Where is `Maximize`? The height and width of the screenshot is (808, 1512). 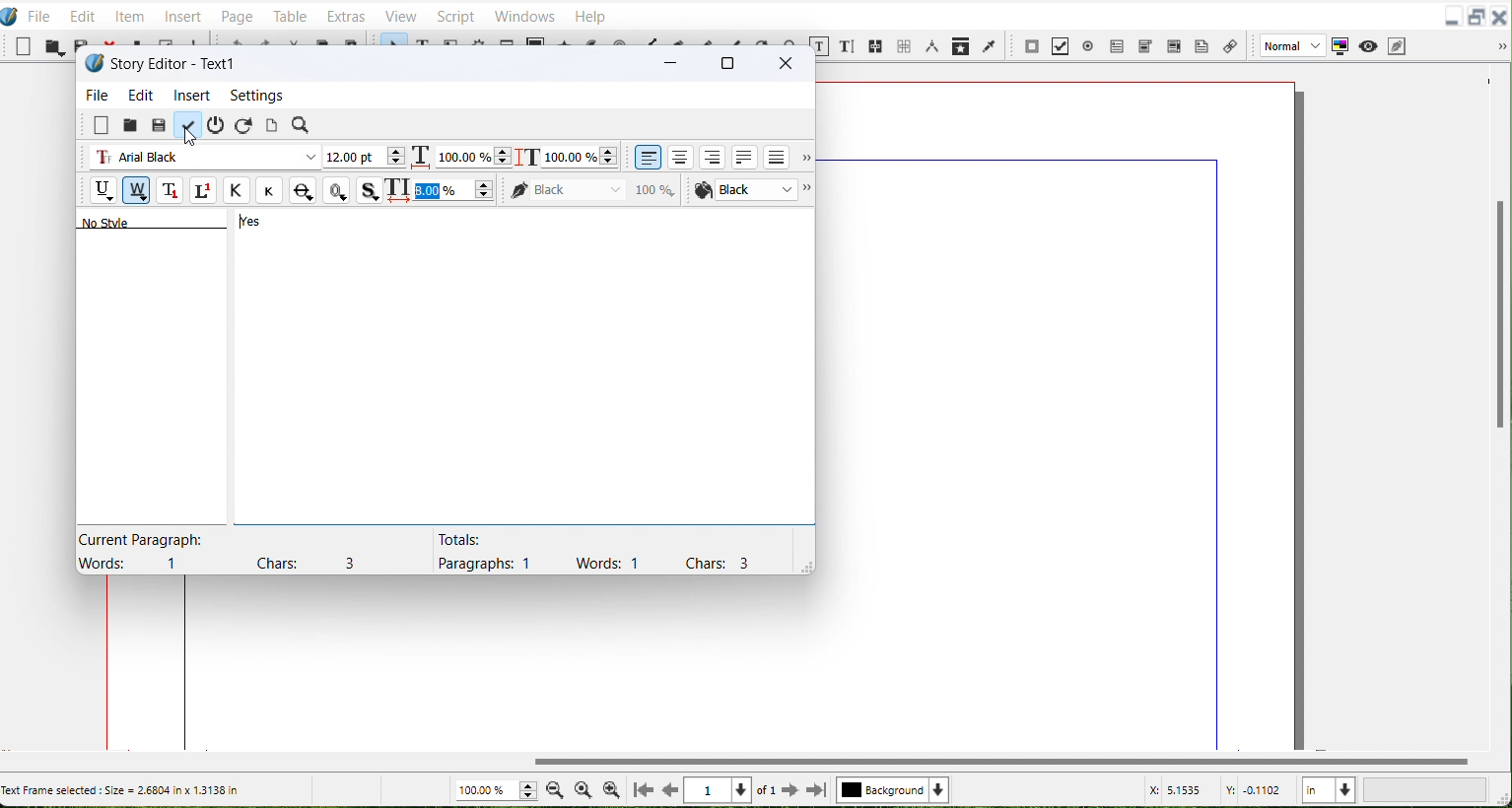 Maximize is located at coordinates (725, 61).